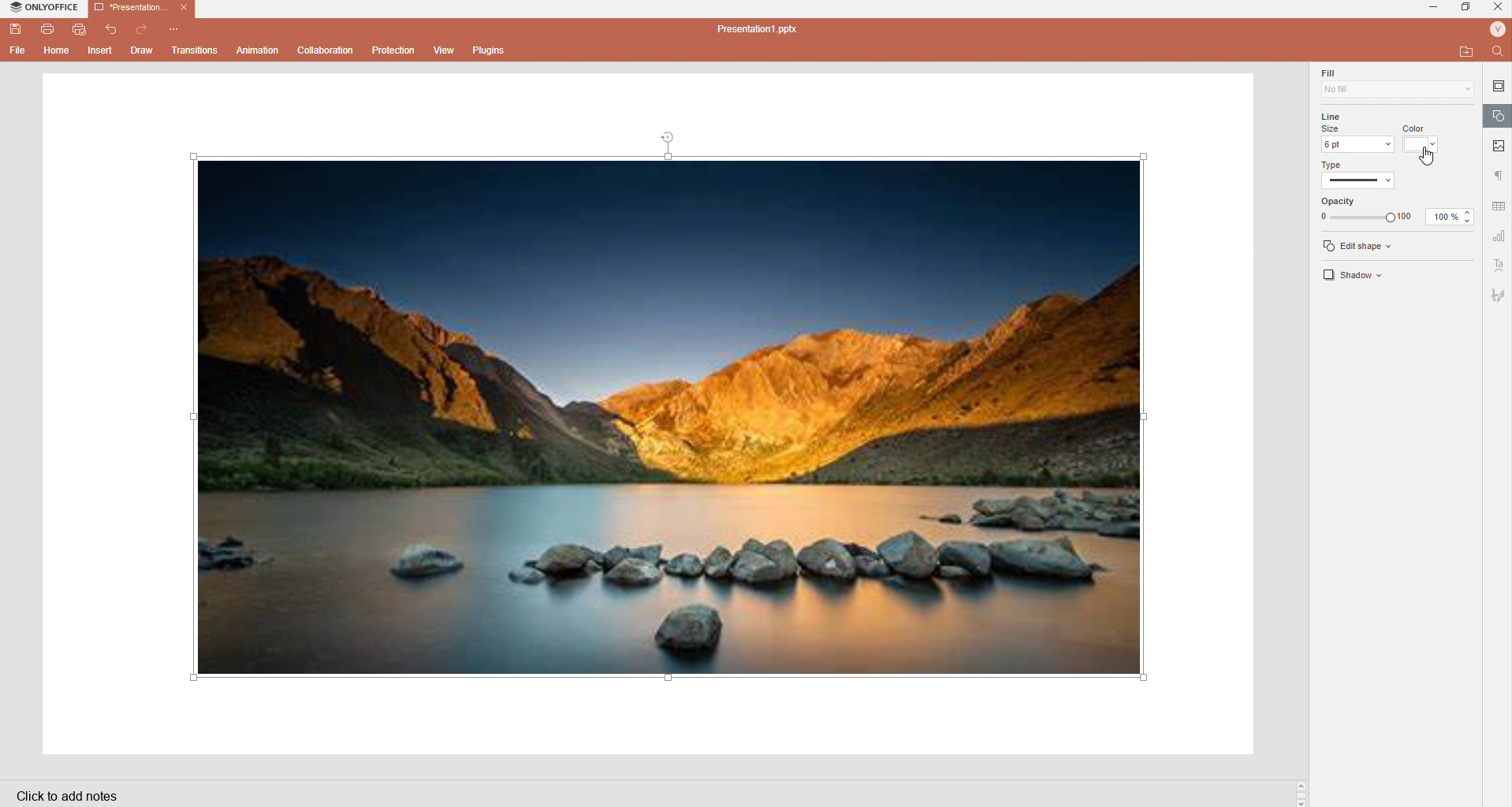  I want to click on edit shape, so click(1366, 247).